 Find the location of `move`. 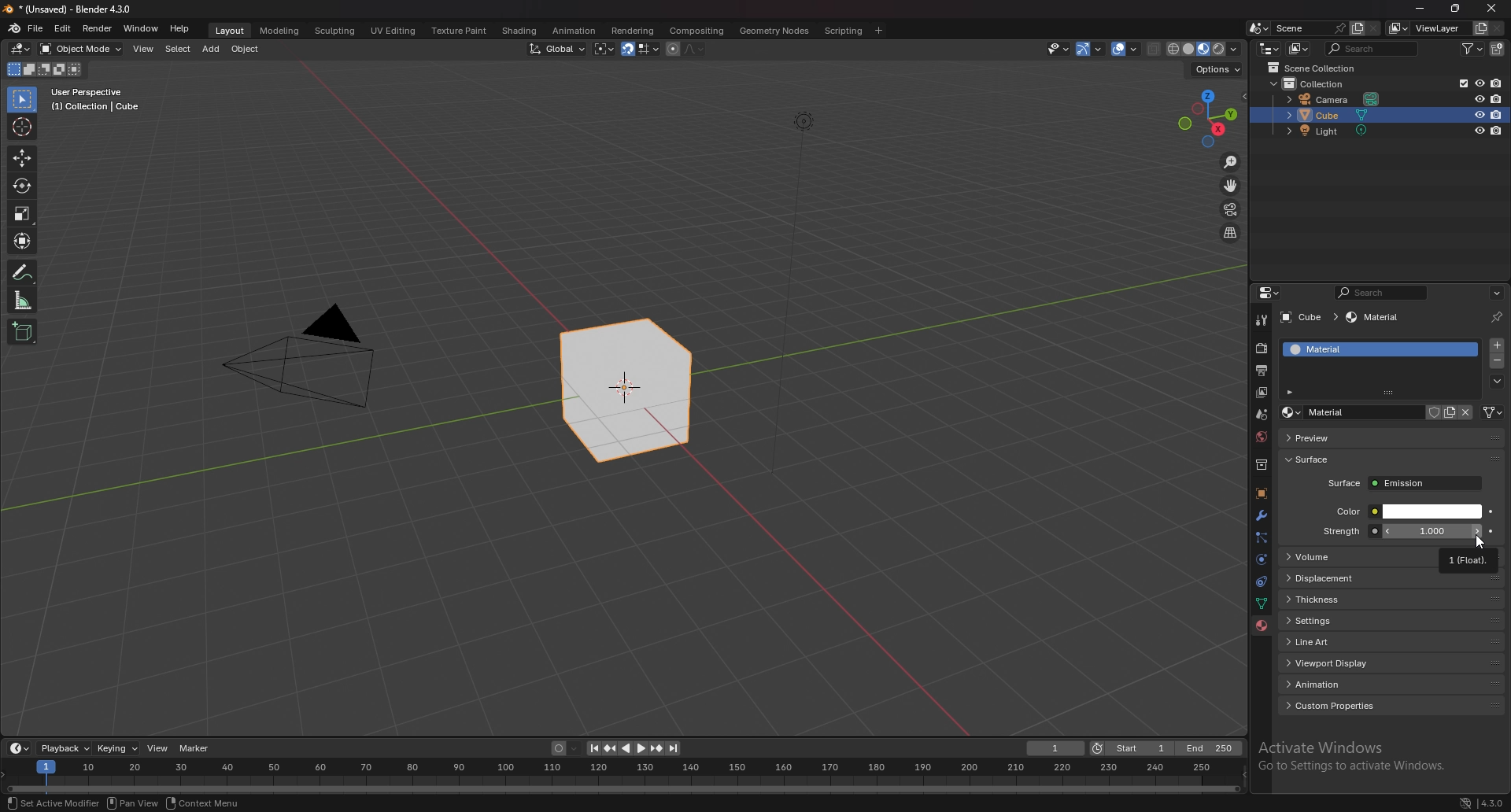

move is located at coordinates (1232, 186).